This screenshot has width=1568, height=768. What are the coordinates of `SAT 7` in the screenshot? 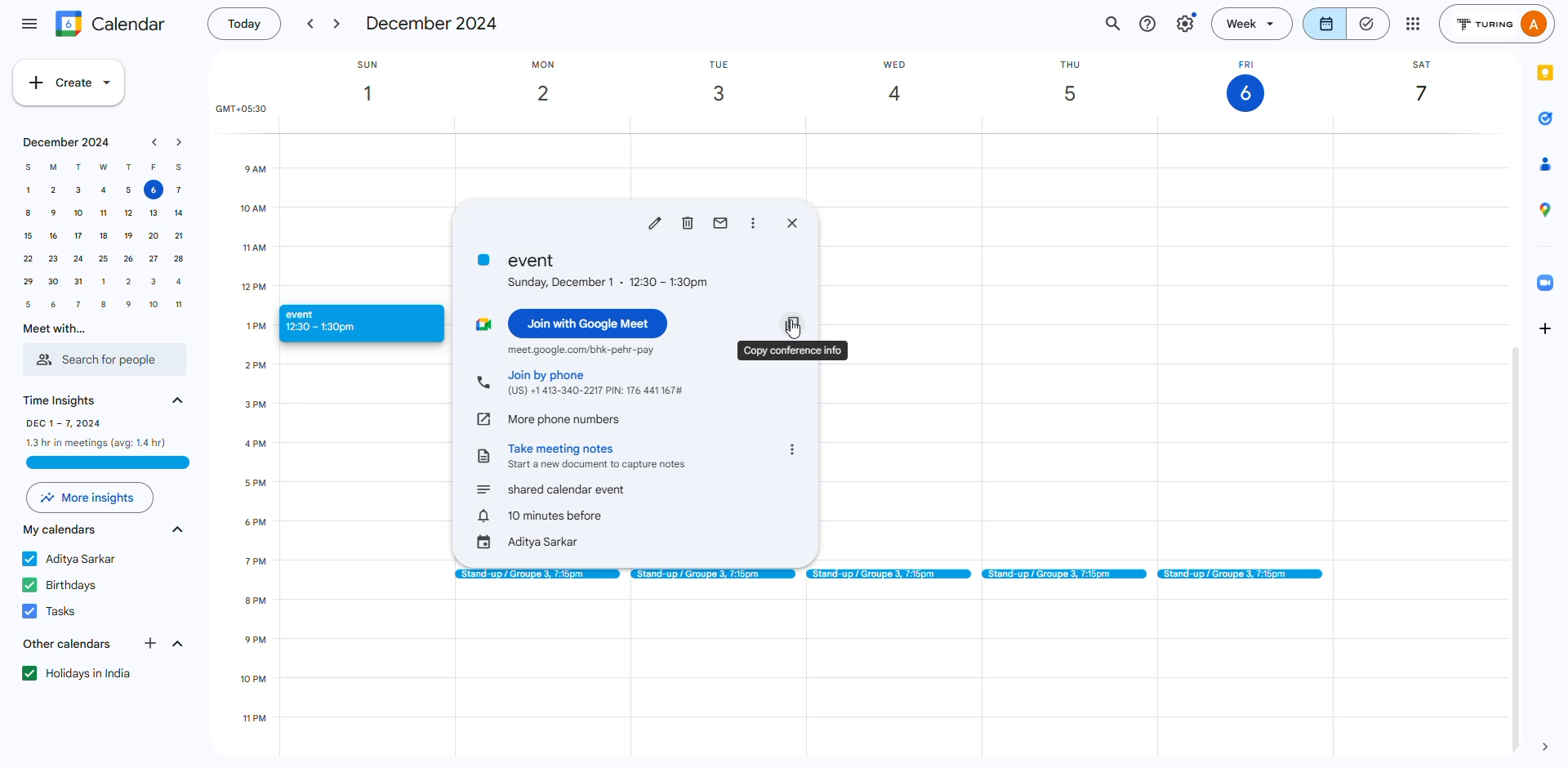 It's located at (1422, 86).